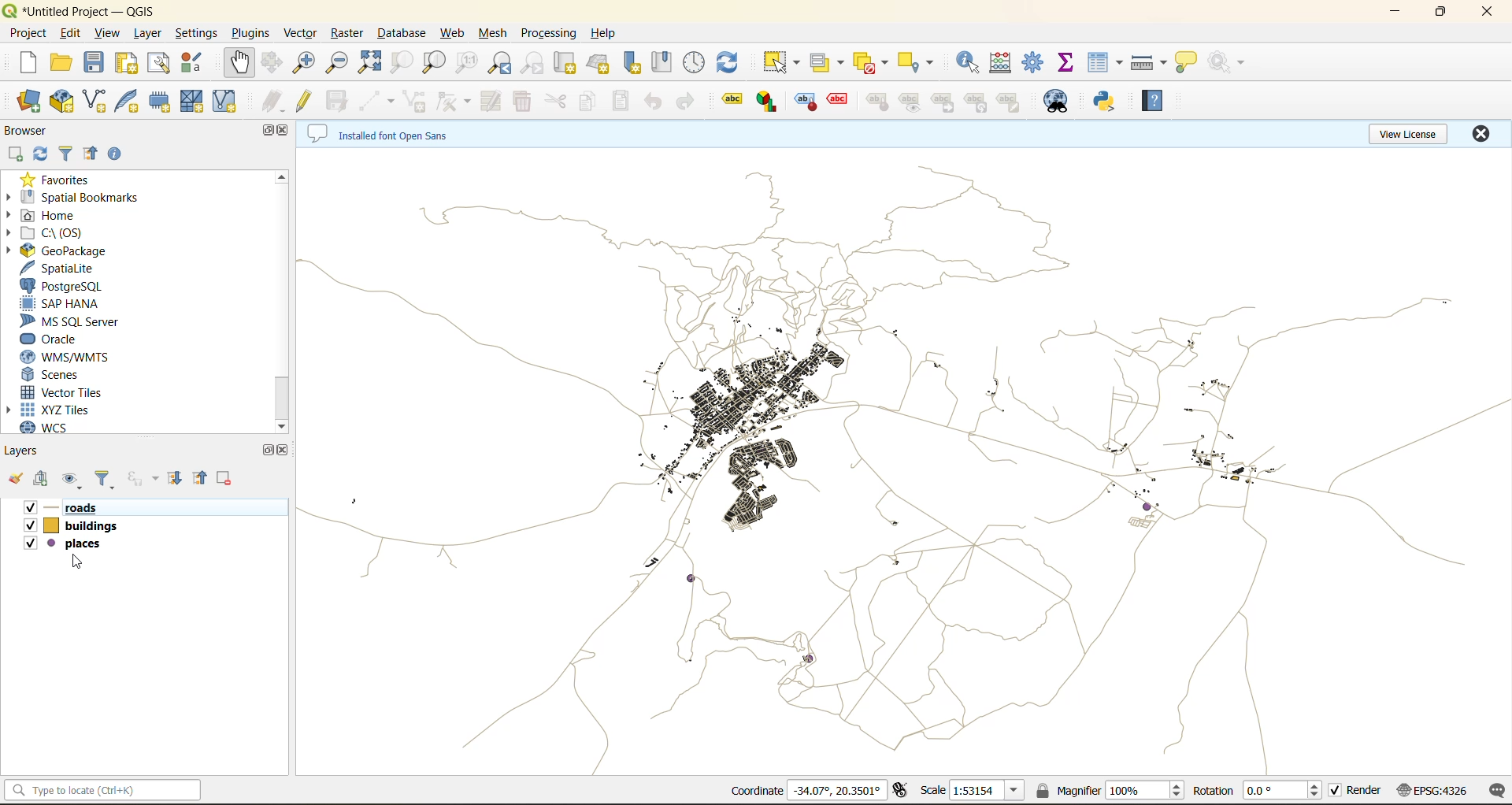 The image size is (1512, 805). I want to click on scale, so click(977, 791).